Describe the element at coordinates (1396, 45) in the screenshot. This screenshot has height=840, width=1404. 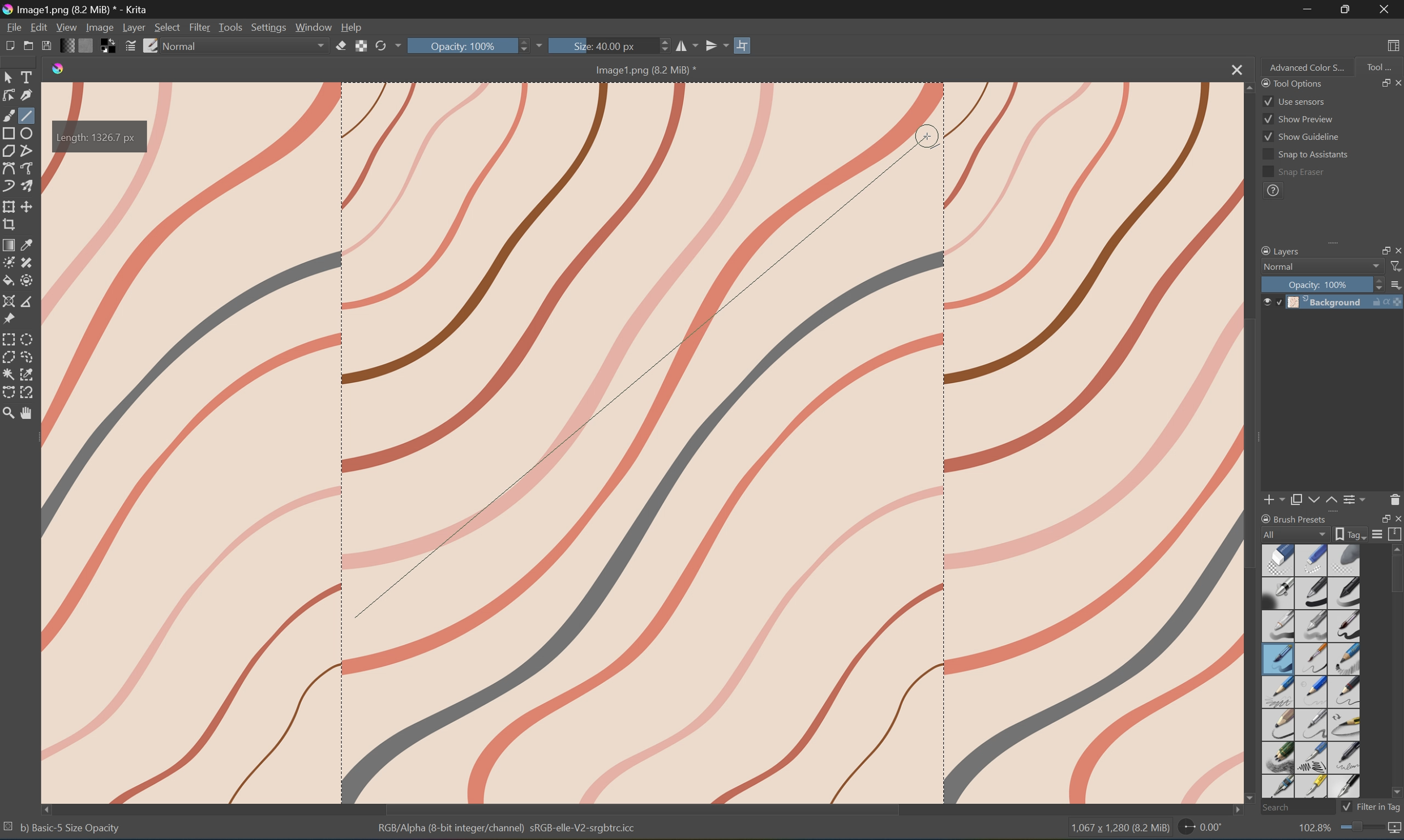
I see `Choose workspace` at that location.